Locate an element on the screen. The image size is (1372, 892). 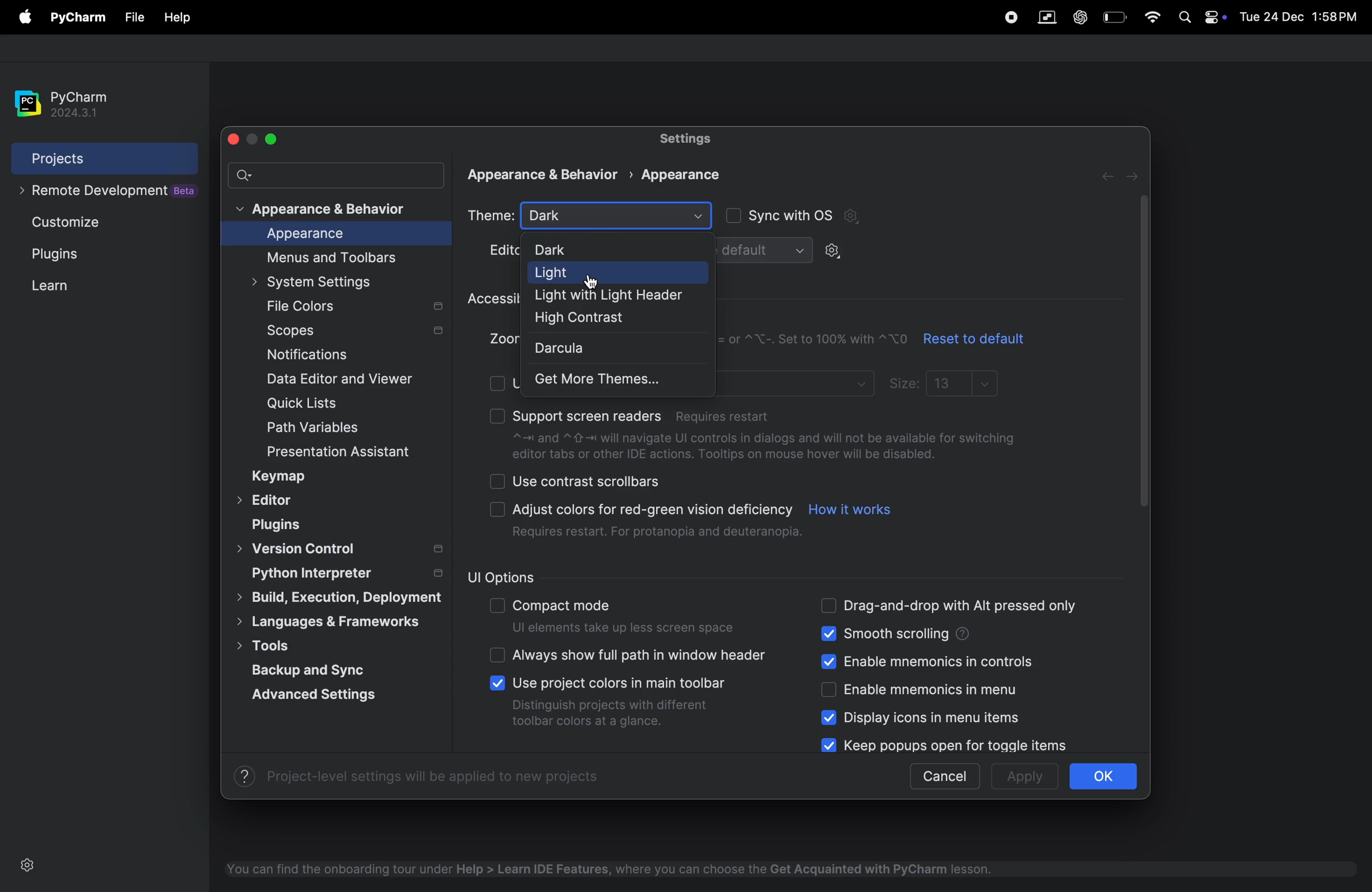
battery is located at coordinates (1114, 17).